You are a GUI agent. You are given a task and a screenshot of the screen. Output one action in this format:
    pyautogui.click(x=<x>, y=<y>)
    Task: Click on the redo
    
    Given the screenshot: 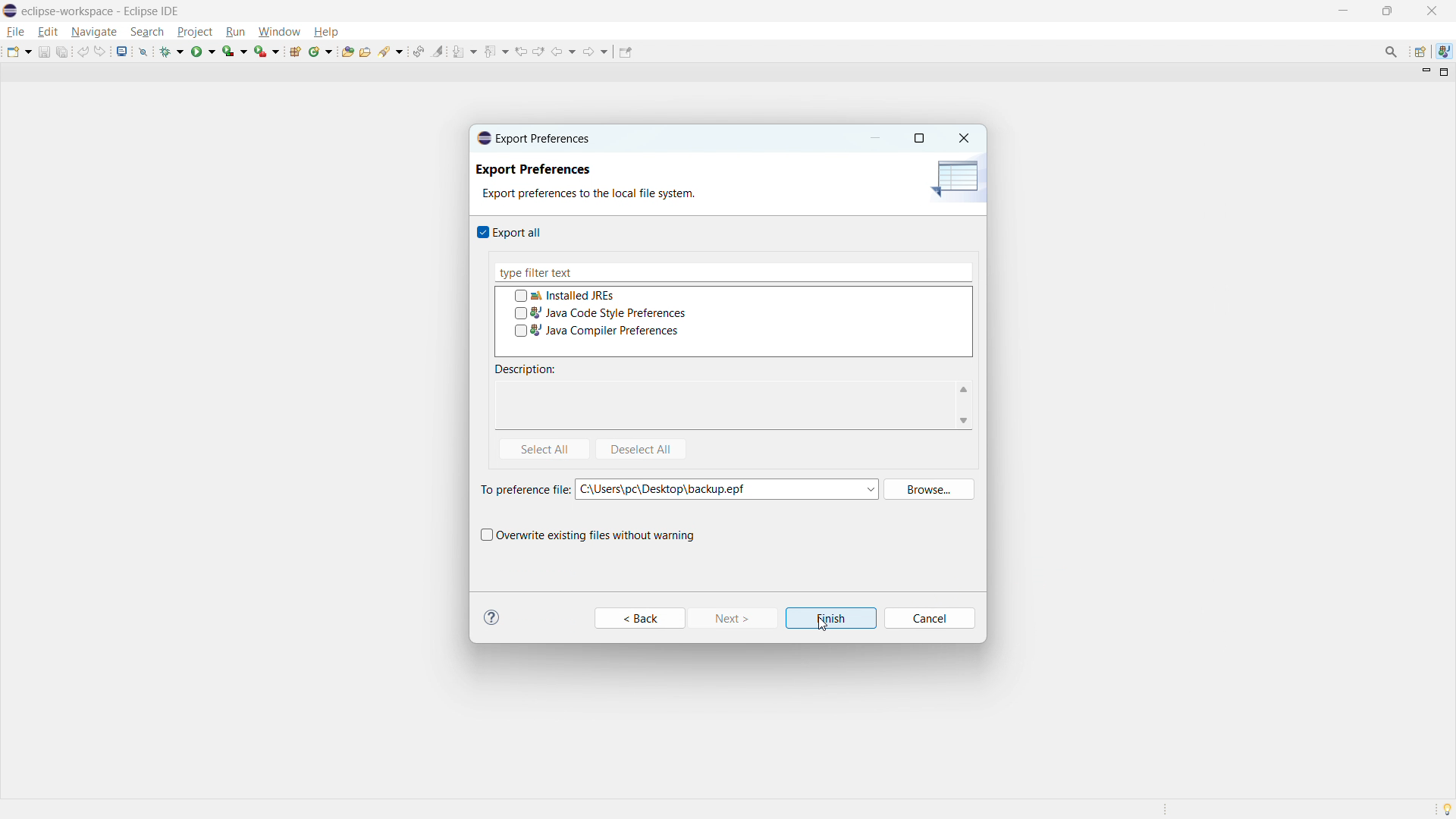 What is the action you would take?
    pyautogui.click(x=100, y=52)
    